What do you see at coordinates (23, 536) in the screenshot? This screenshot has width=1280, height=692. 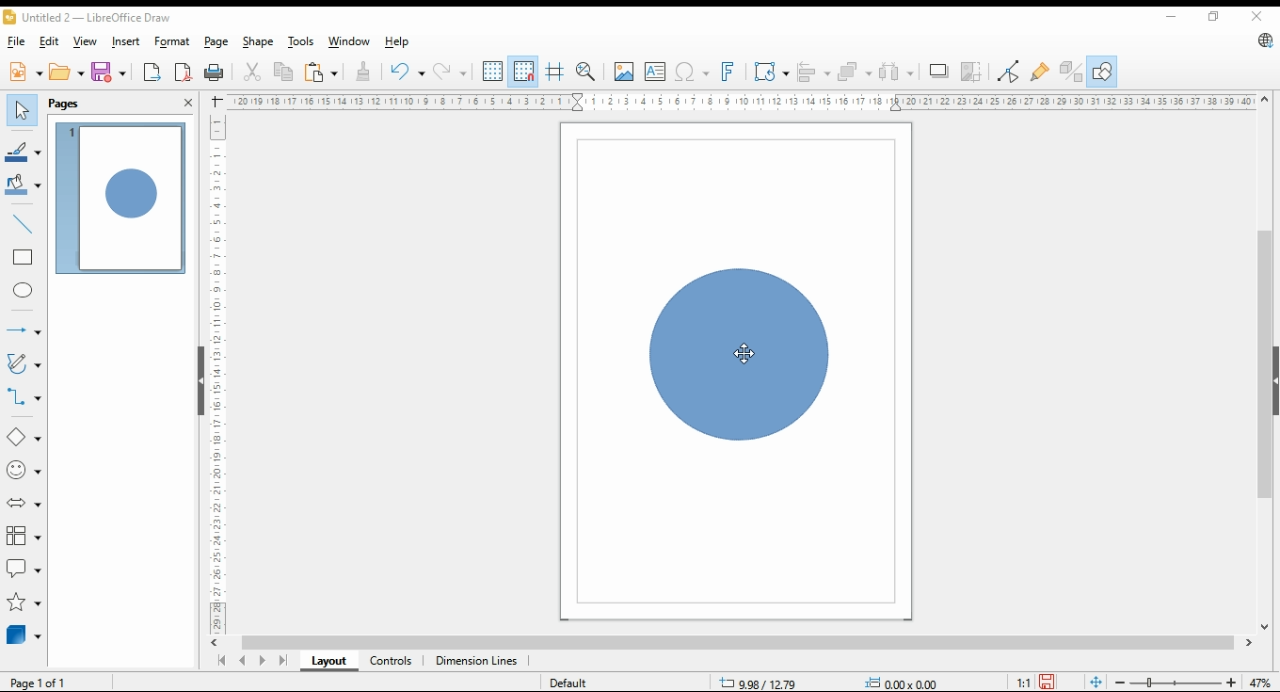 I see `flowchart` at bounding box center [23, 536].